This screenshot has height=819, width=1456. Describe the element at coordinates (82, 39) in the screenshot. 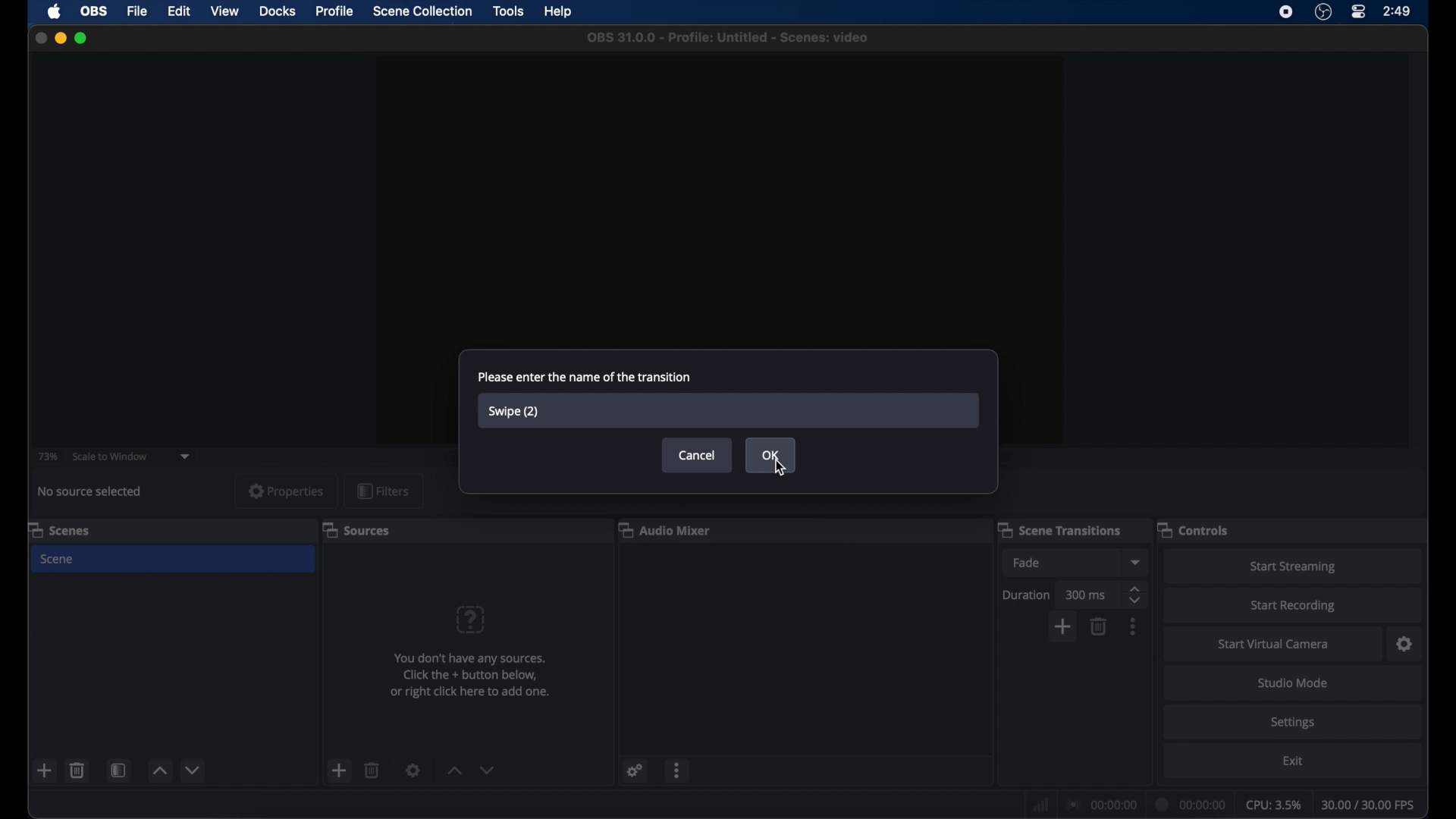

I see `maximize` at that location.